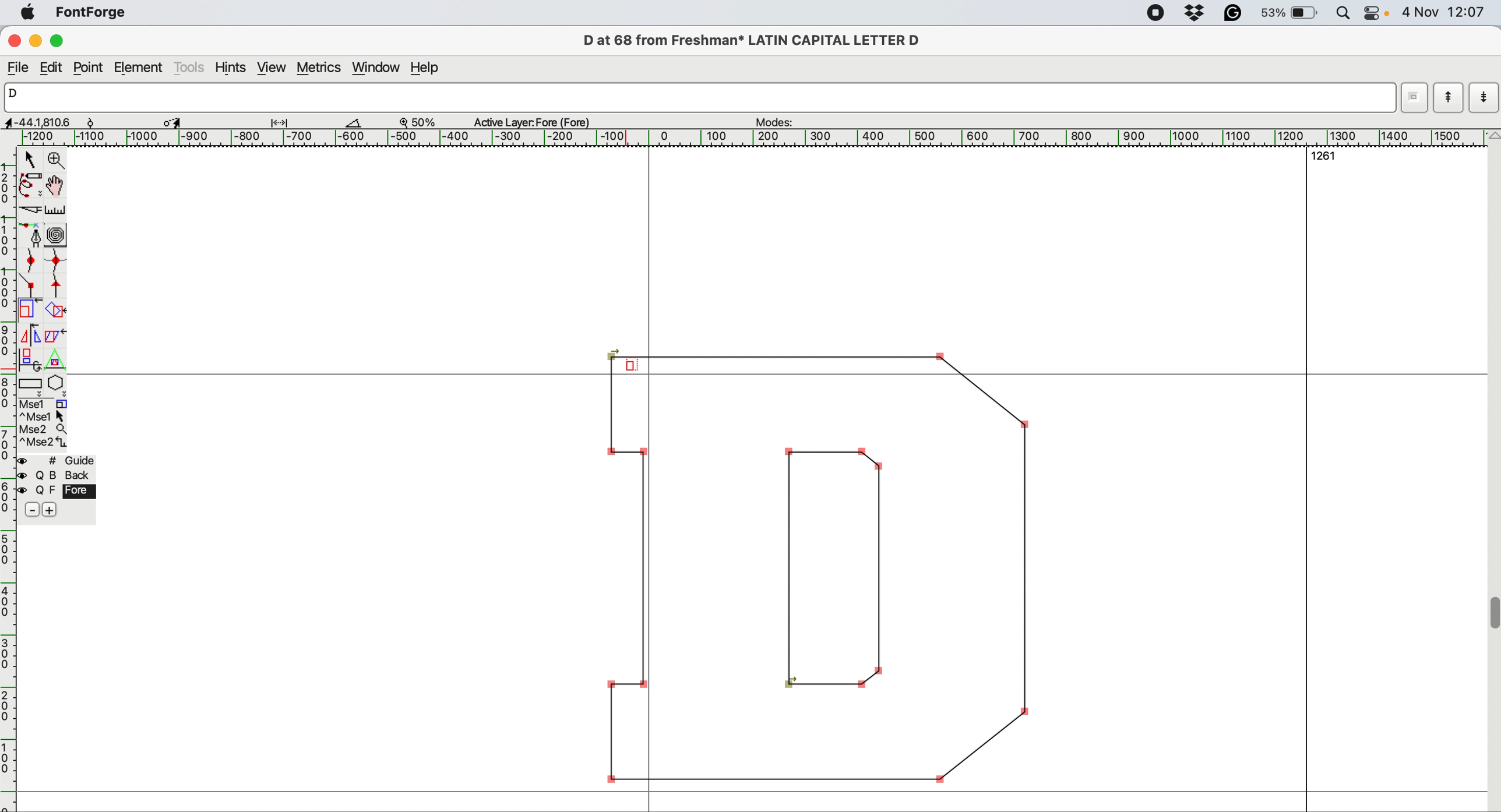  What do you see at coordinates (29, 311) in the screenshot?
I see `scale the selection` at bounding box center [29, 311].